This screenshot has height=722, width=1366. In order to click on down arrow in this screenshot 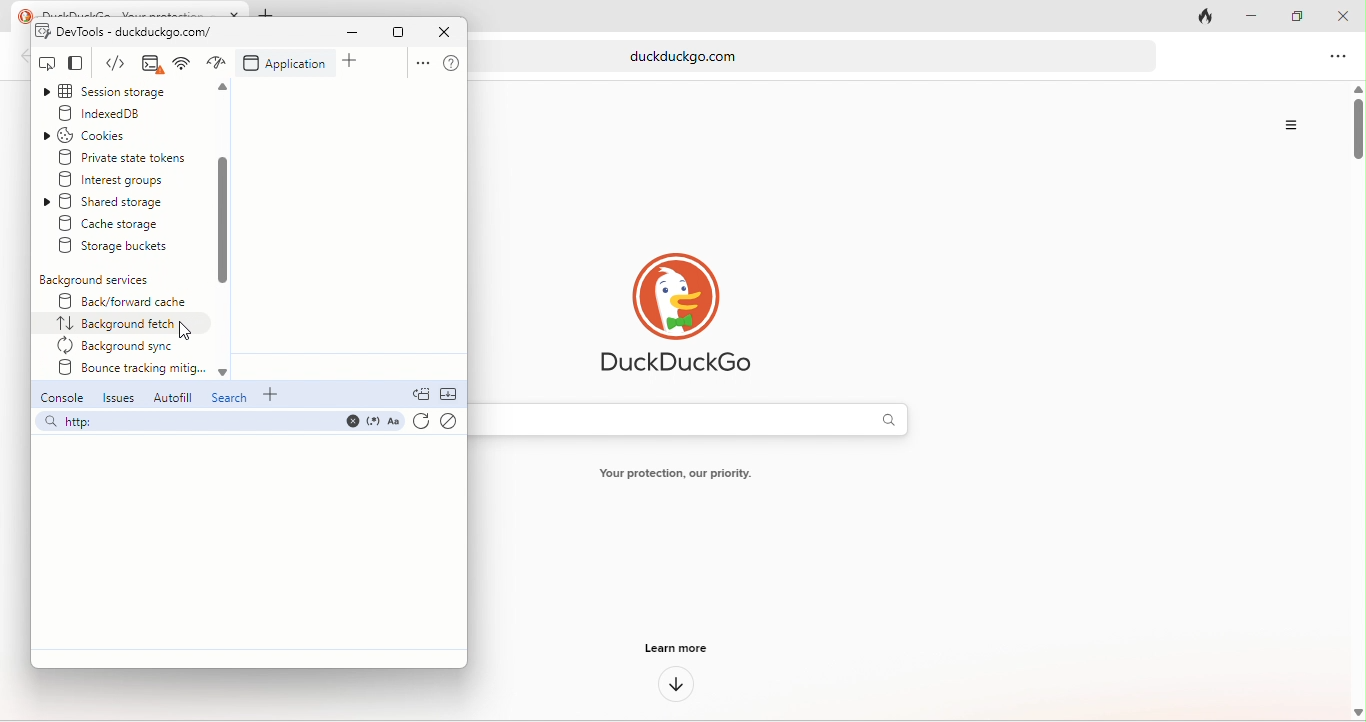, I will do `click(671, 687)`.